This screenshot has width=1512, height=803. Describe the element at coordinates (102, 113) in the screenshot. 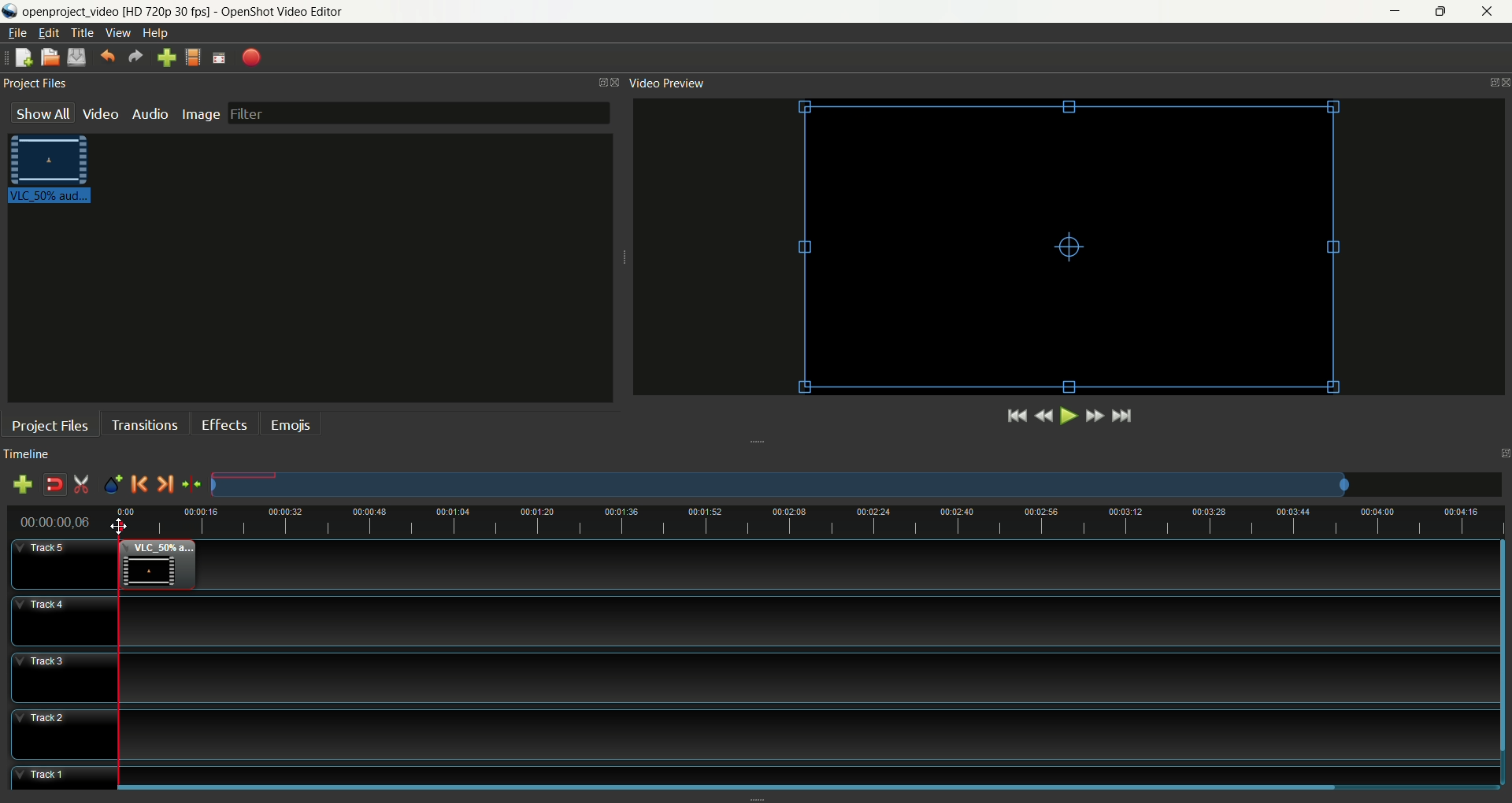

I see `video` at that location.